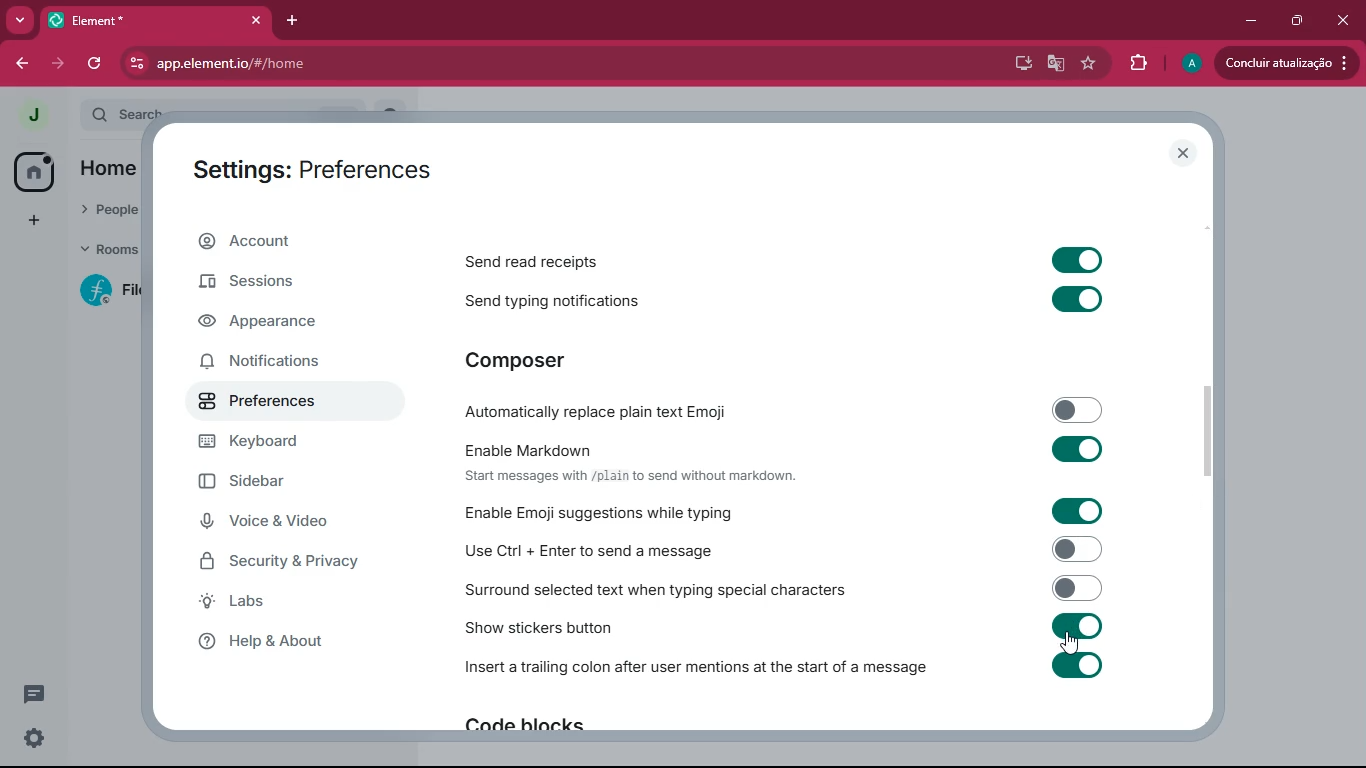 The height and width of the screenshot is (768, 1366). I want to click on -Automatically replace plain text Emoji, so click(780, 413).